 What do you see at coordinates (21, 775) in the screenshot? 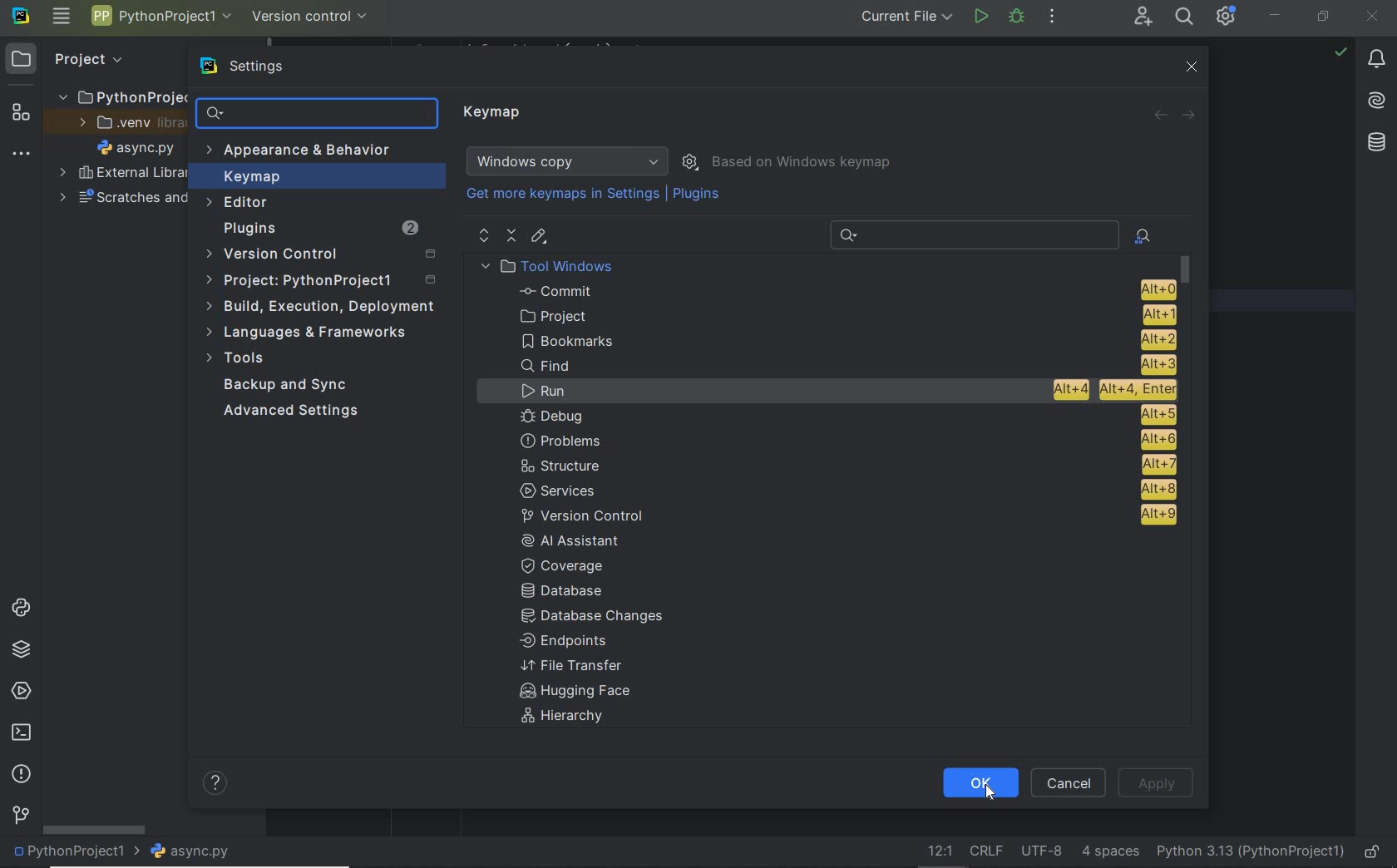
I see `problems` at bounding box center [21, 775].